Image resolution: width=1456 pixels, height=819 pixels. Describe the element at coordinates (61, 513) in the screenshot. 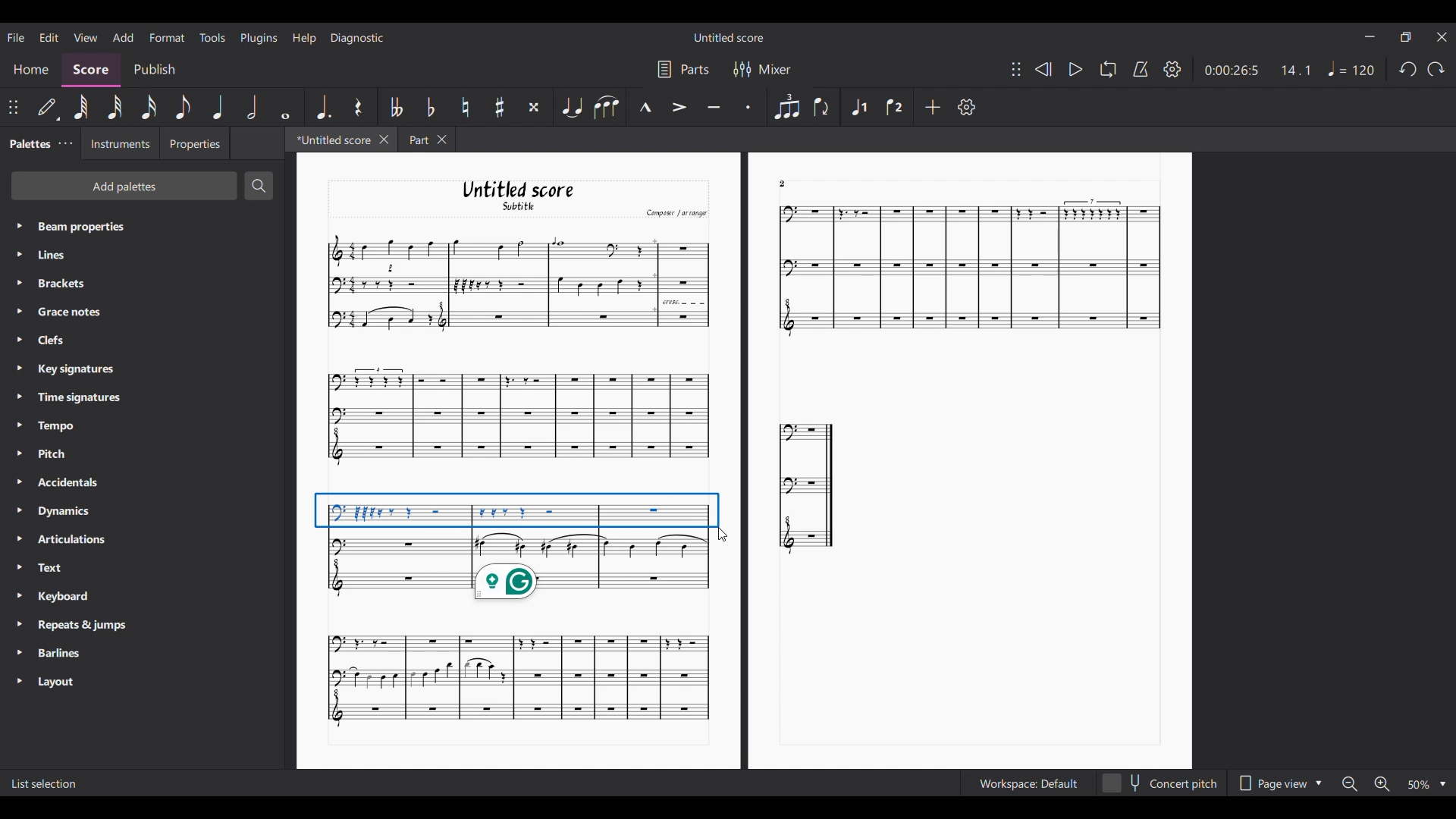

I see `> Dynamics` at that location.